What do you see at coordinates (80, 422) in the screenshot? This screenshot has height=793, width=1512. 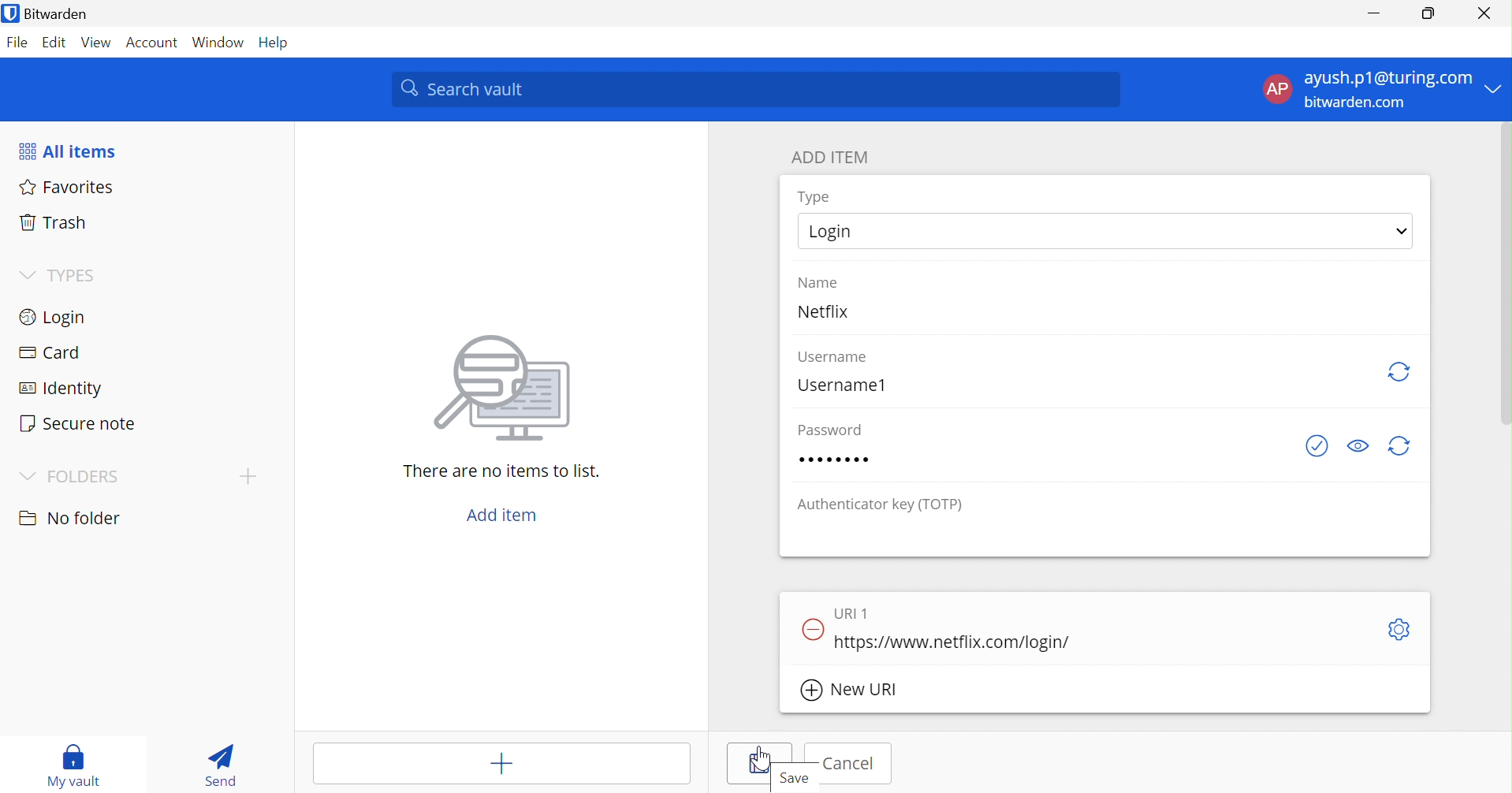 I see `Secure note` at bounding box center [80, 422].